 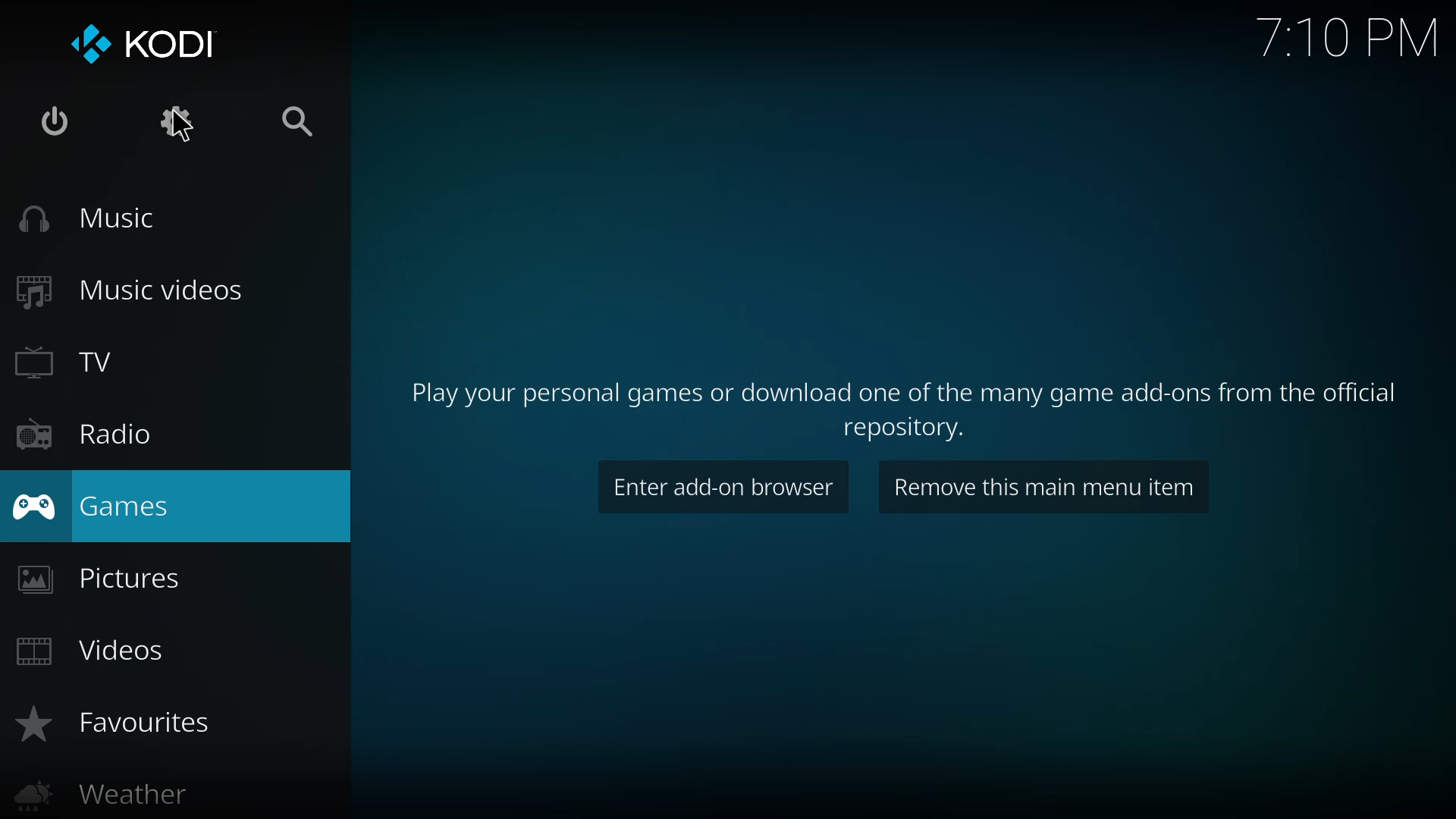 I want to click on remove this main menu item, so click(x=1045, y=487).